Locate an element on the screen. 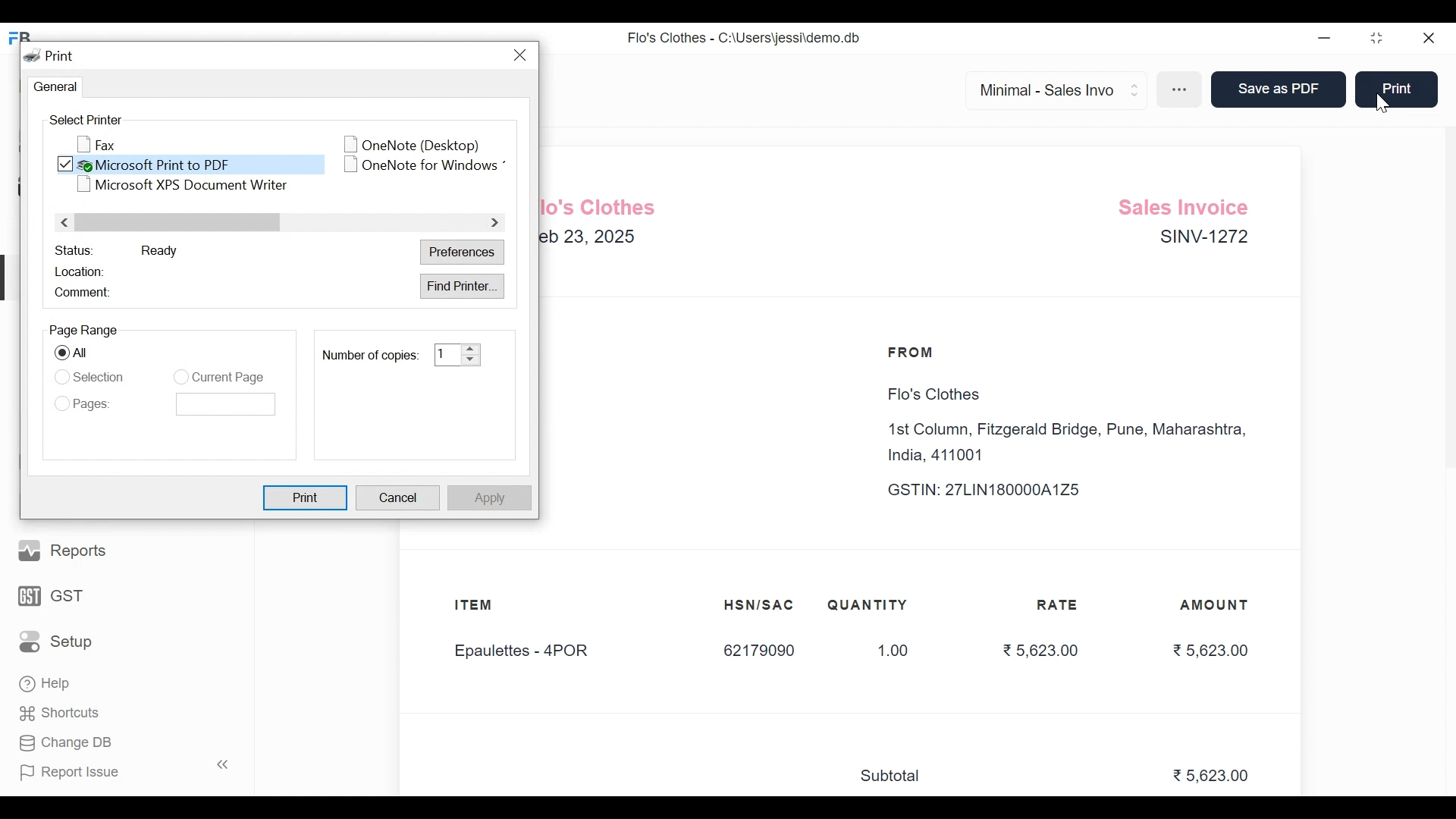 The image size is (1456, 819). SINV-1272 is located at coordinates (1202, 240).